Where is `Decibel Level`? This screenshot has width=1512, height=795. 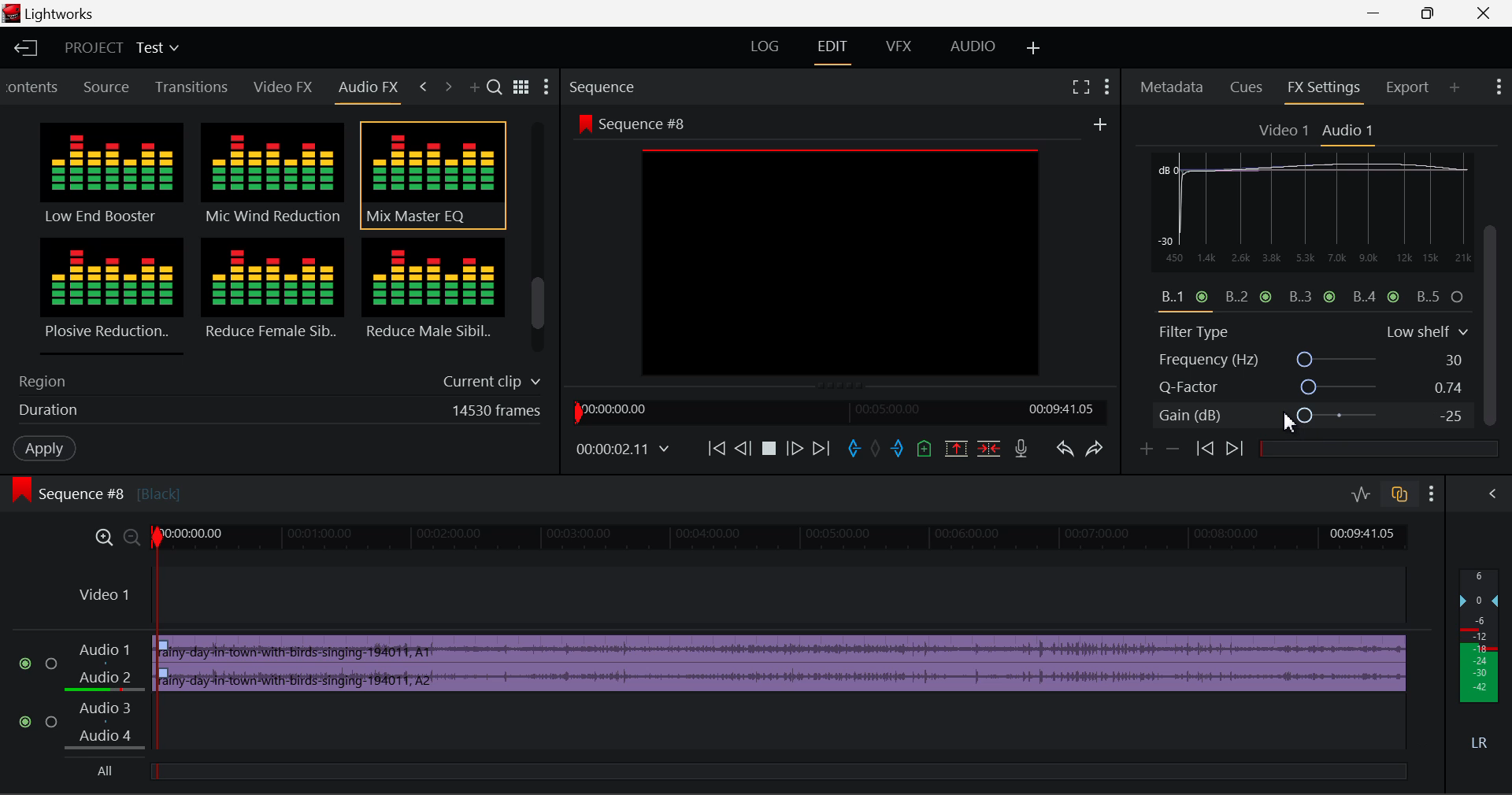
Decibel Level is located at coordinates (1482, 663).